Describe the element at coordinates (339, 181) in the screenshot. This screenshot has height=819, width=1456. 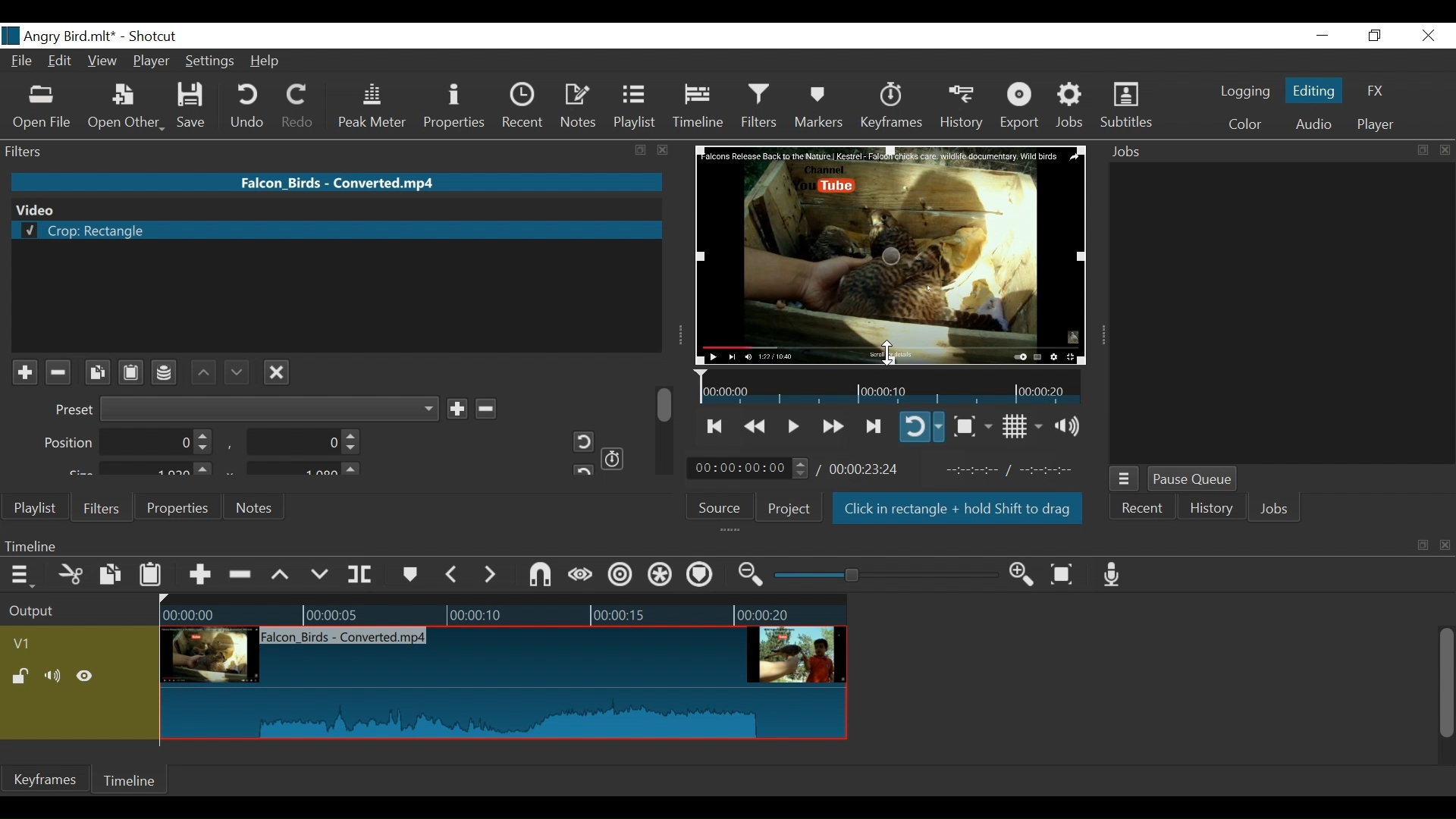
I see `File Name` at that location.